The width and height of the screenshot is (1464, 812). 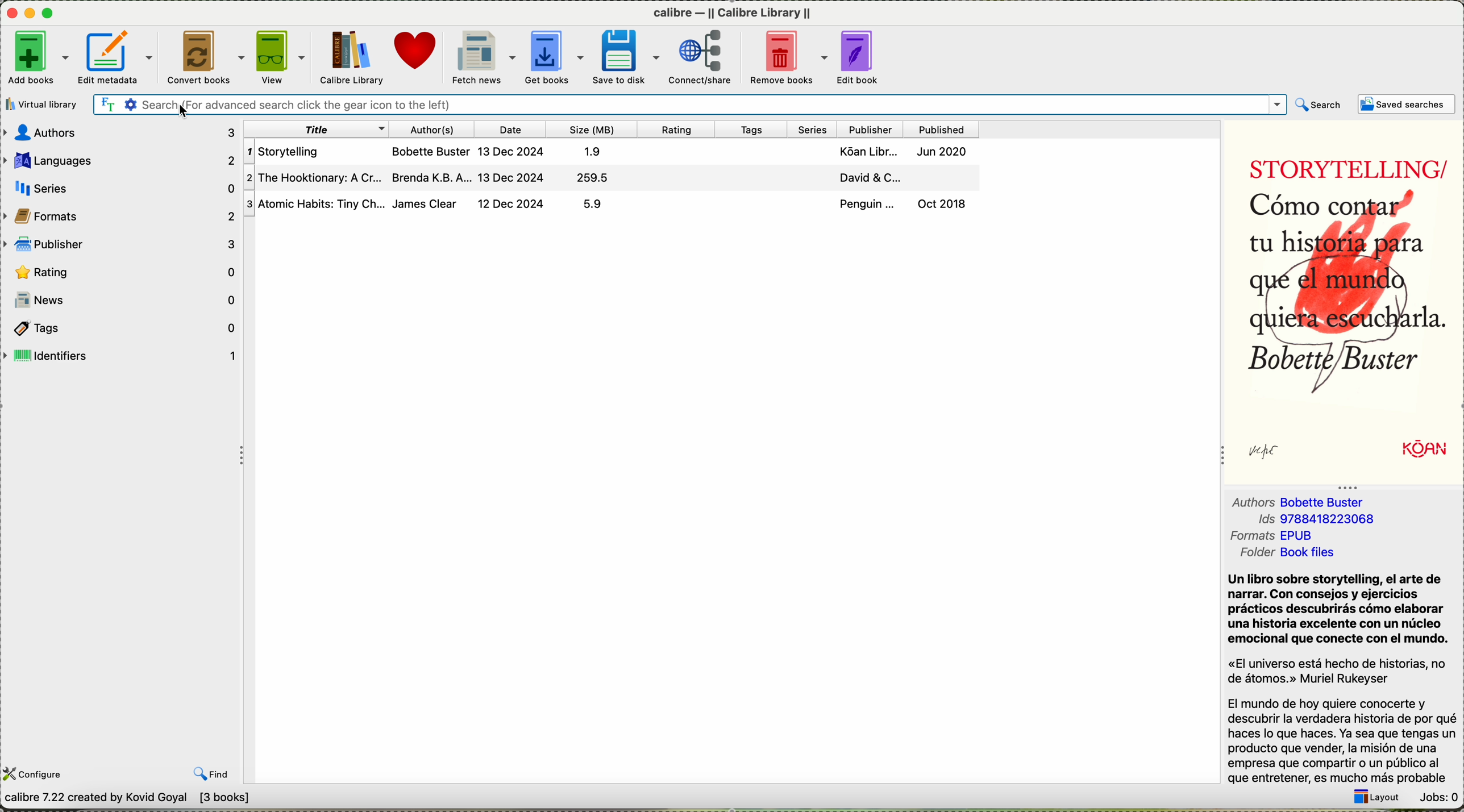 I want to click on STORYTELLING/, so click(x=1341, y=163).